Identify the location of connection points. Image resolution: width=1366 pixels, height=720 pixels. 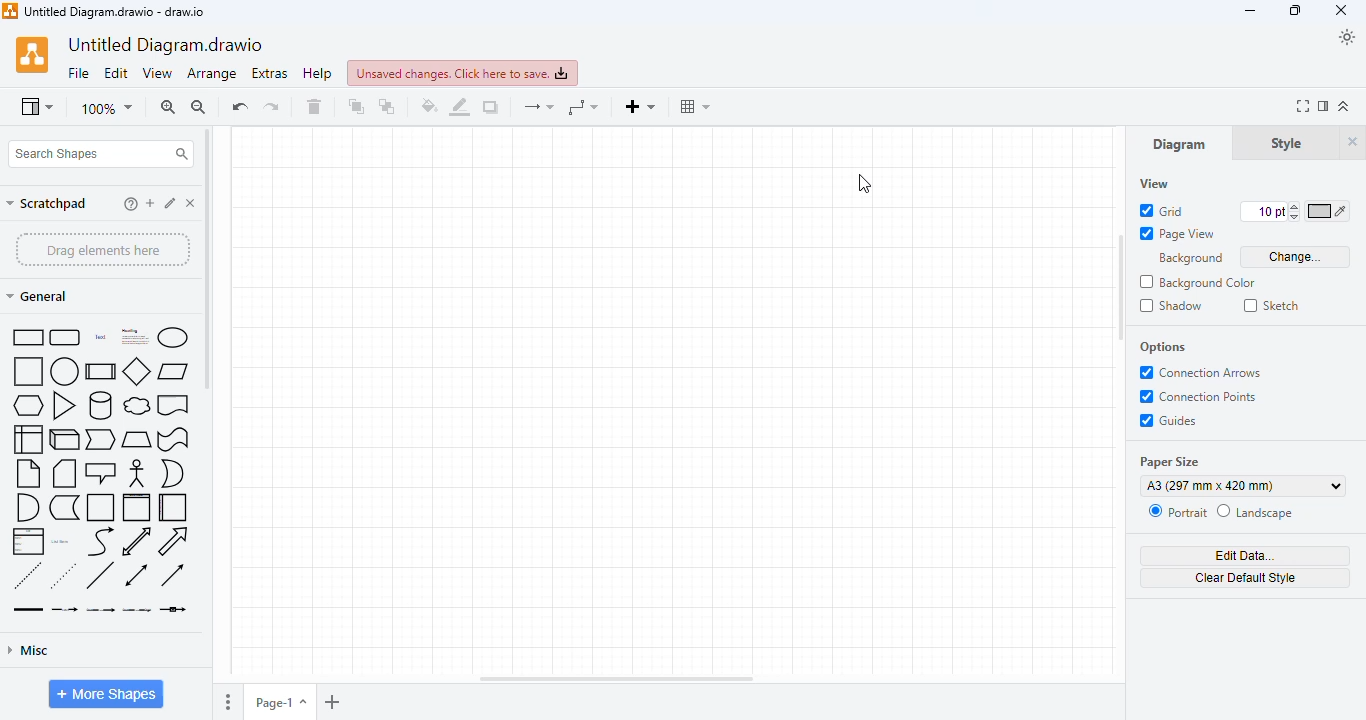
(1197, 397).